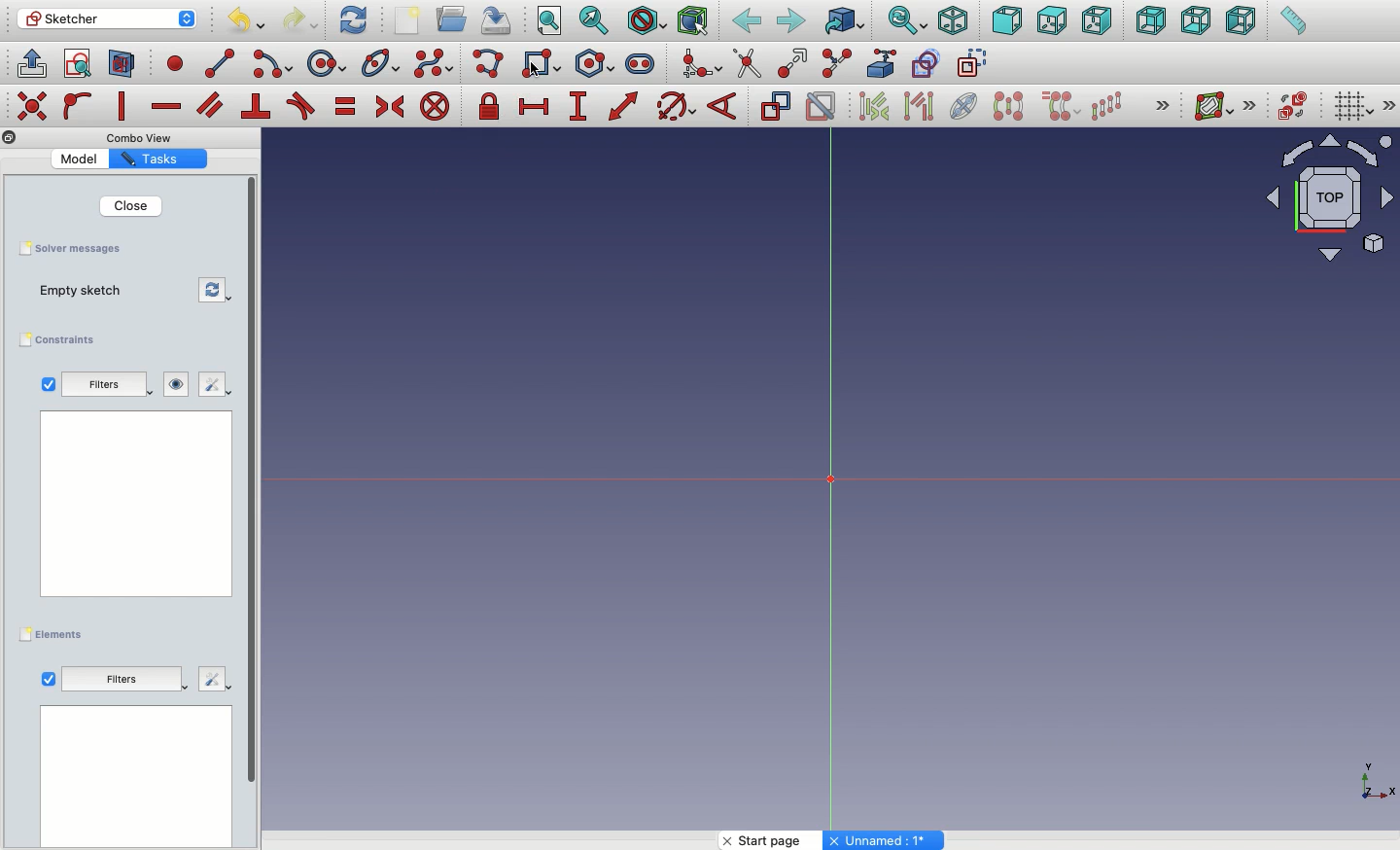  I want to click on Checkbox, so click(49, 680).